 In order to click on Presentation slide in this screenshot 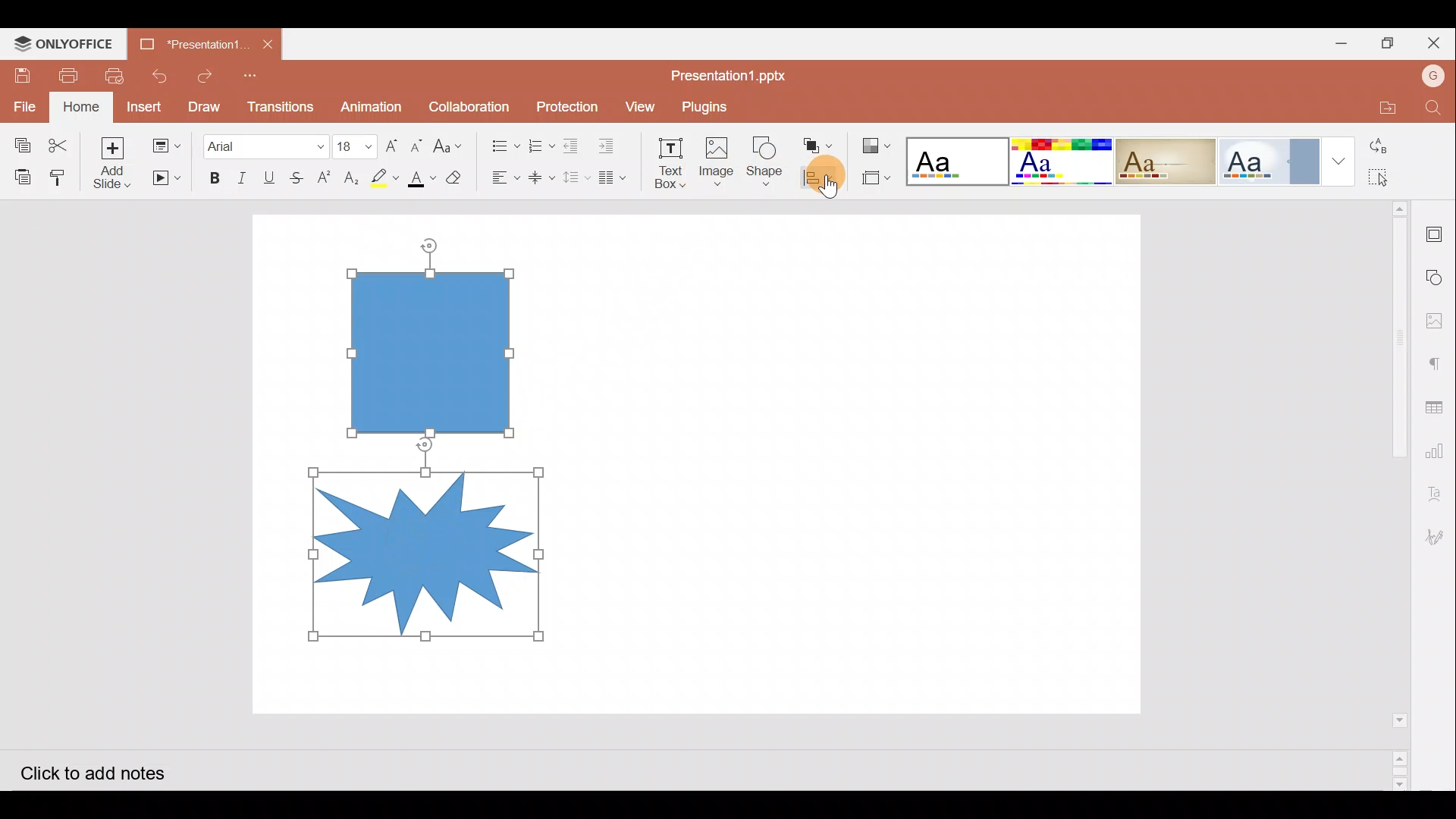, I will do `click(864, 464)`.